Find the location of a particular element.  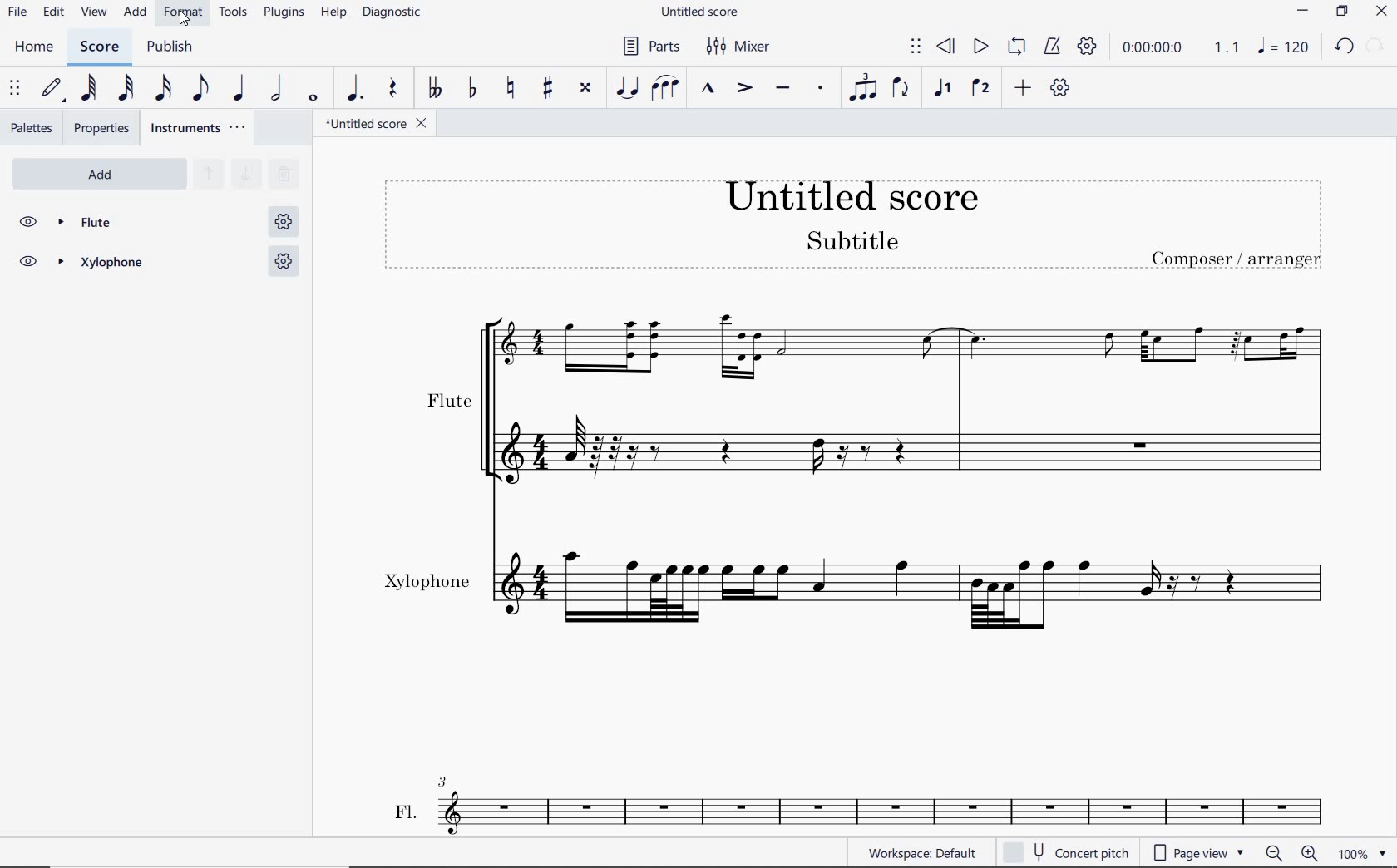

MOVE SELECTED INSTRUMENT DOWN is located at coordinates (244, 175).